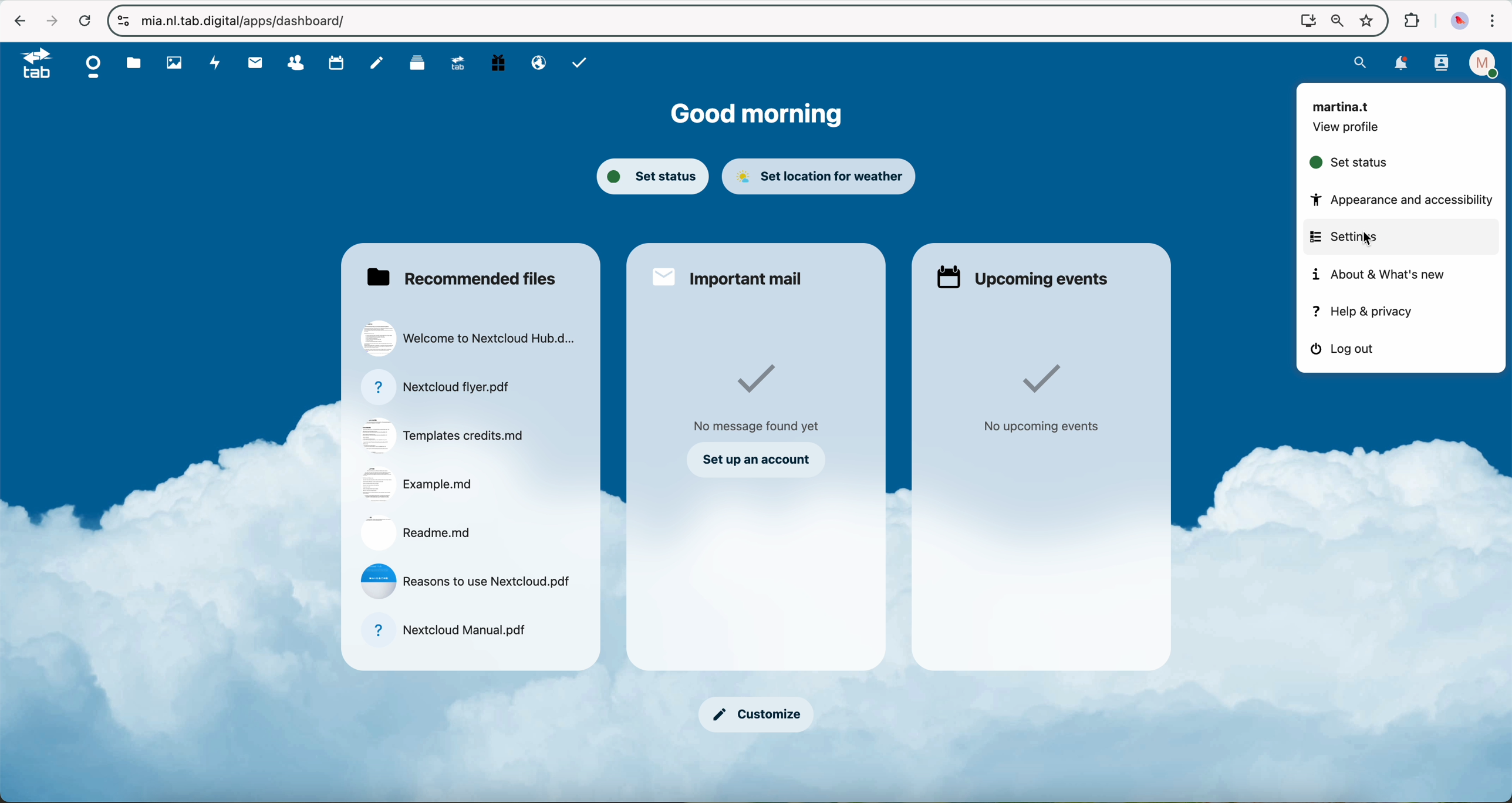 This screenshot has width=1512, height=803. I want to click on no upcoming events, so click(1040, 400).